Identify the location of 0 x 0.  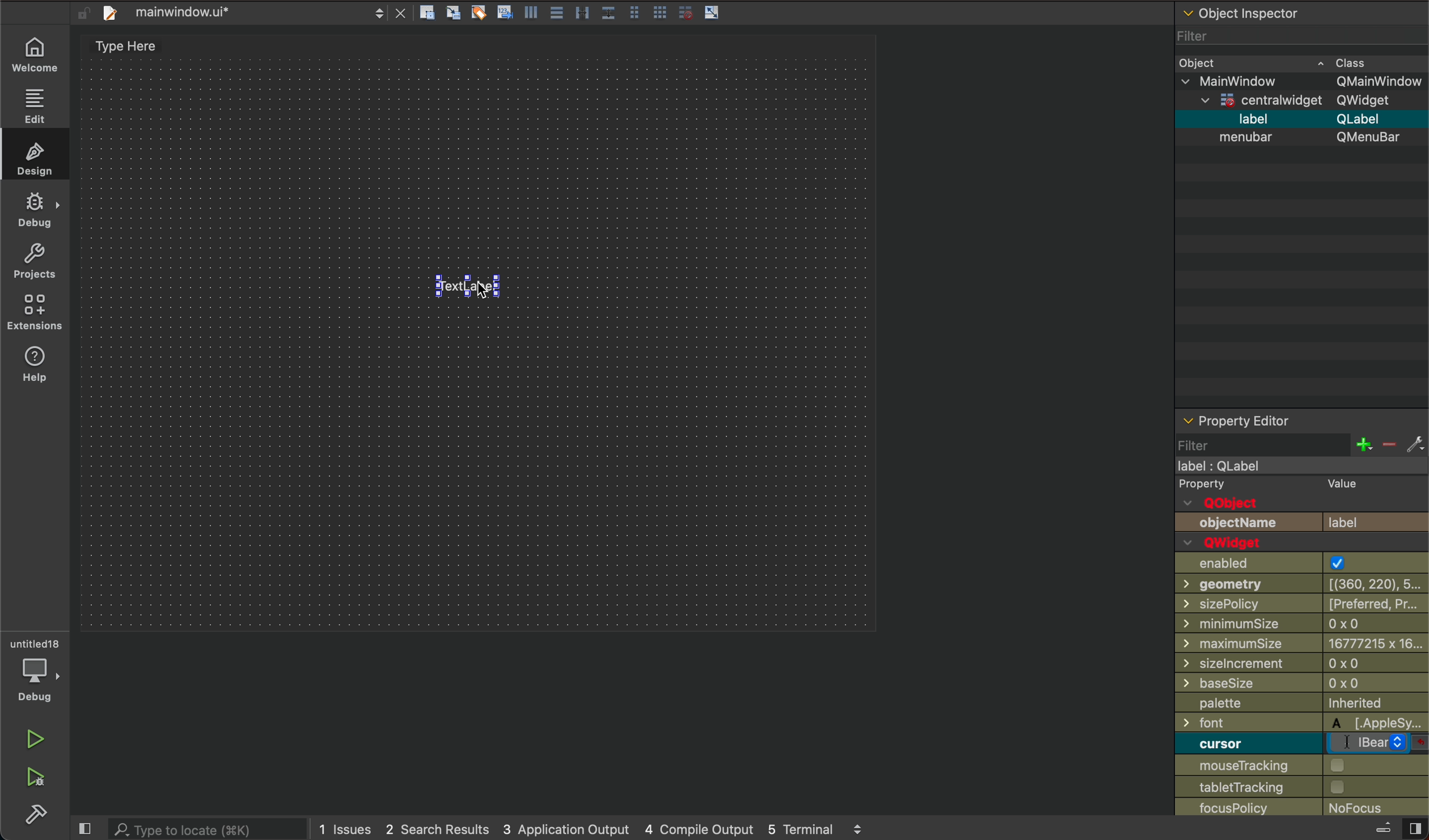
(1369, 622).